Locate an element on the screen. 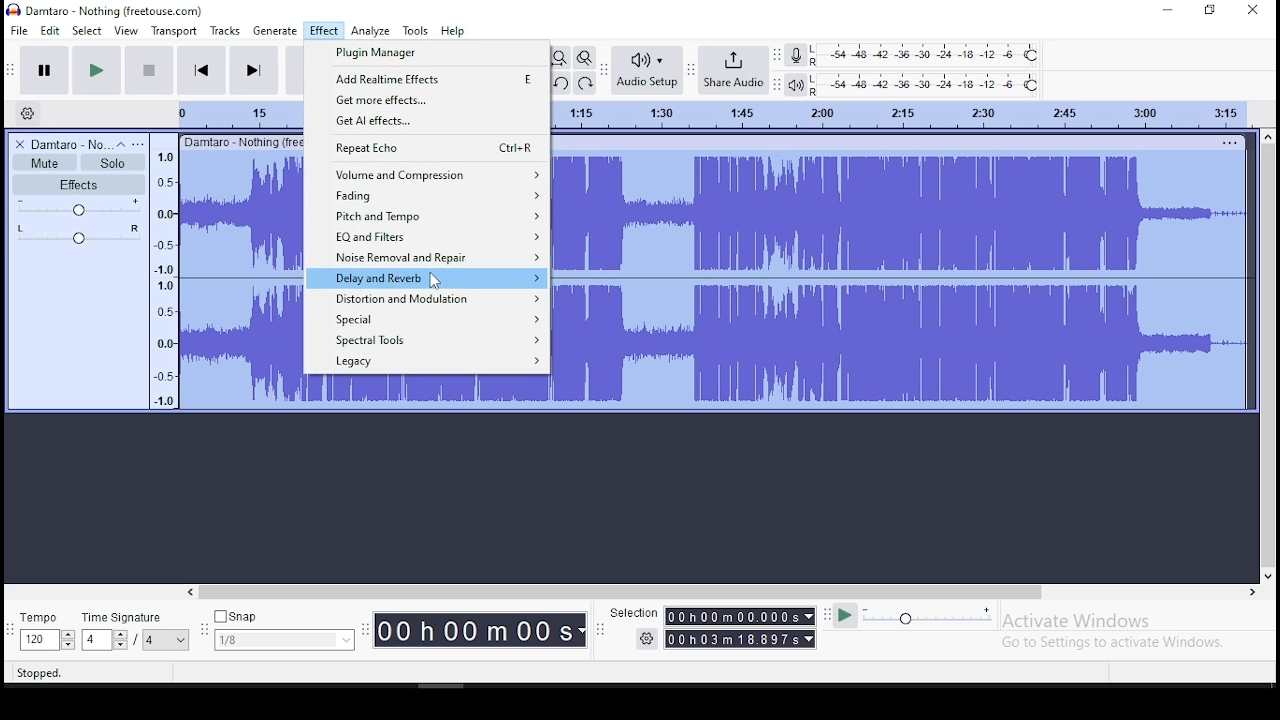 The width and height of the screenshot is (1280, 720). delete track is located at coordinates (20, 143).